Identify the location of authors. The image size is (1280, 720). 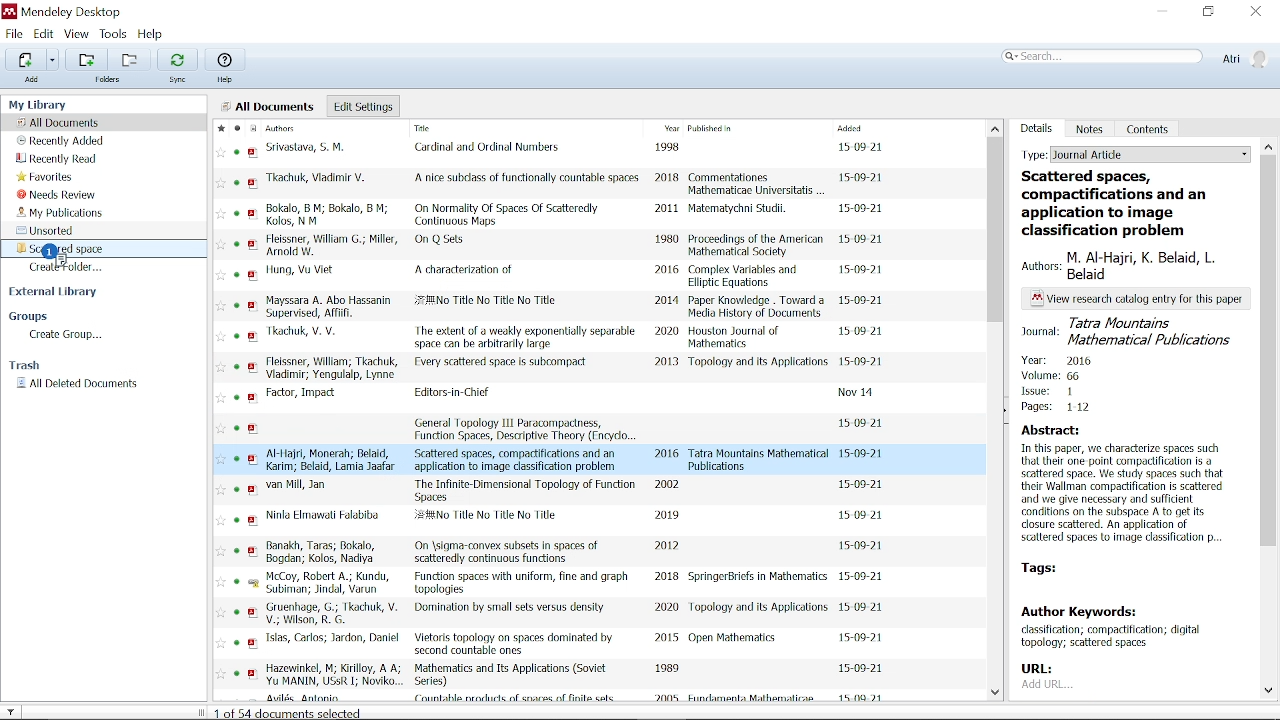
(329, 215).